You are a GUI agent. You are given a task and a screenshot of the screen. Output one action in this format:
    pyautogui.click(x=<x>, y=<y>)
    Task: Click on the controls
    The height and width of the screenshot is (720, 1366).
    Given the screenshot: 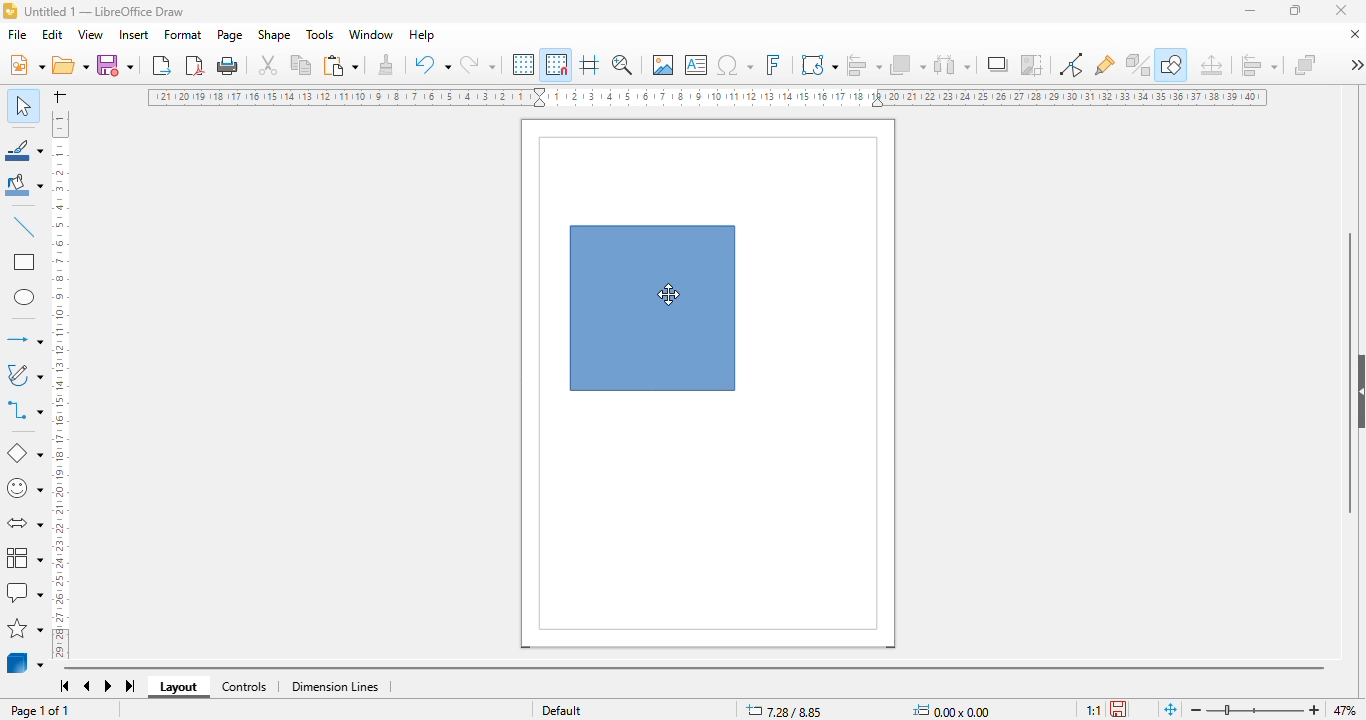 What is the action you would take?
    pyautogui.click(x=244, y=687)
    